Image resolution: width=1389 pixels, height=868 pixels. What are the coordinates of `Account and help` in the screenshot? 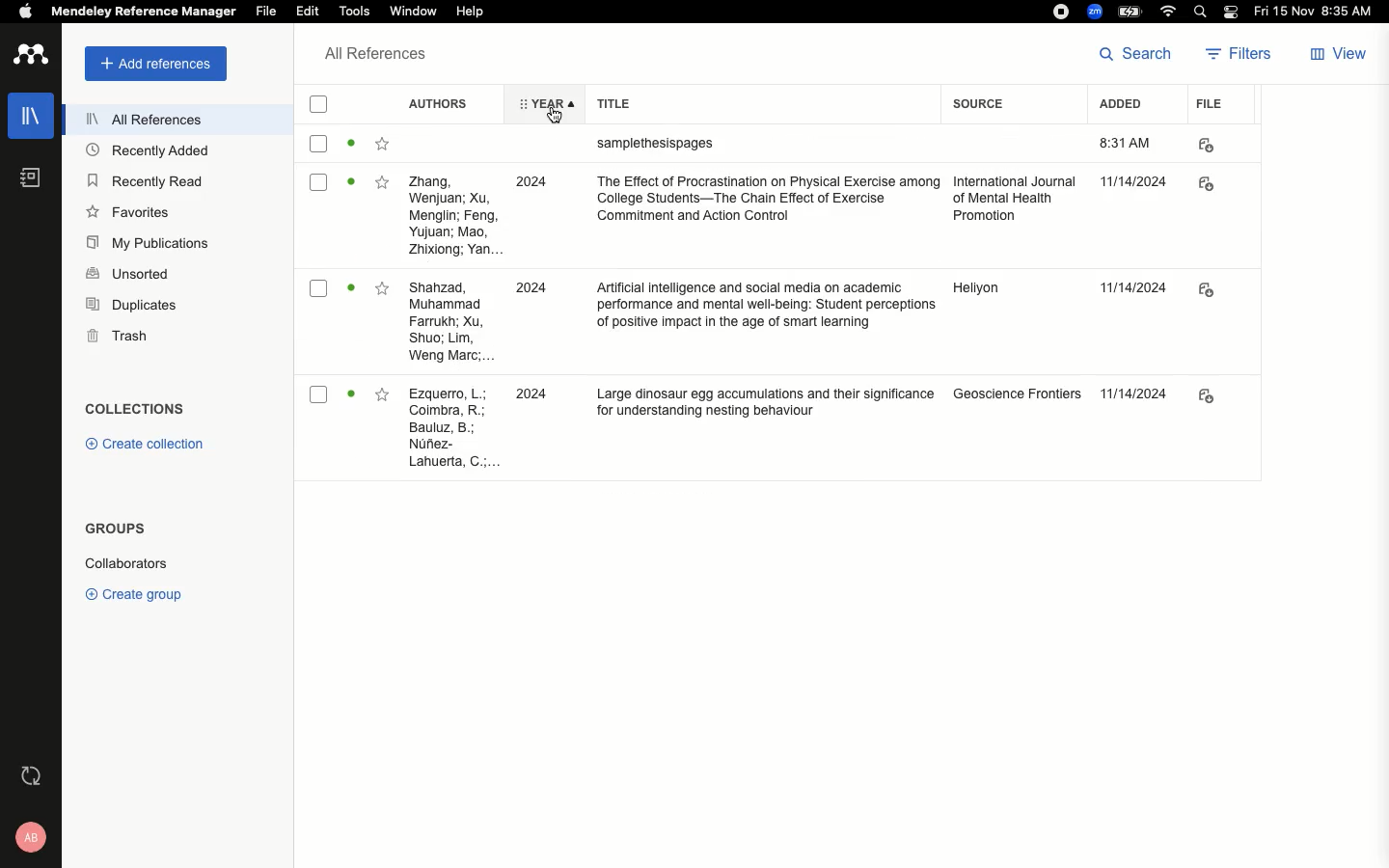 It's located at (29, 835).